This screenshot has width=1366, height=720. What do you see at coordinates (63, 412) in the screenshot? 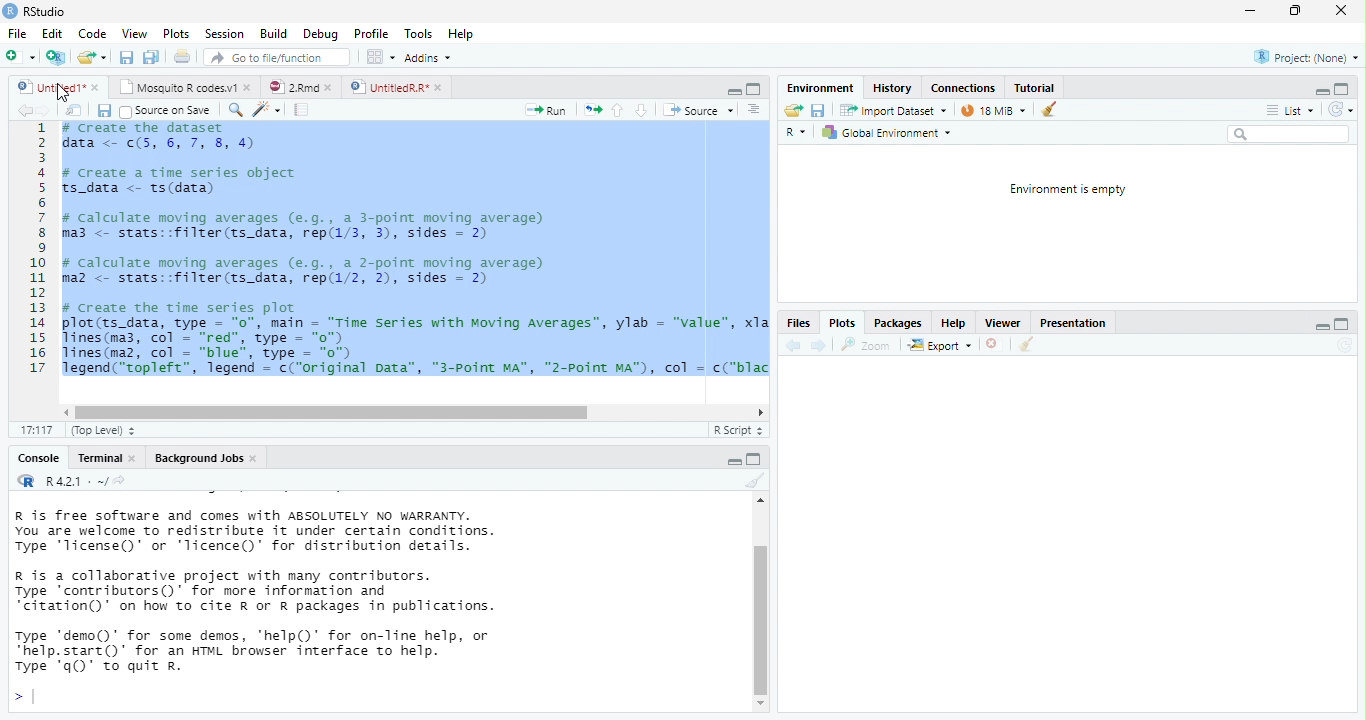
I see `scrollbar left` at bounding box center [63, 412].